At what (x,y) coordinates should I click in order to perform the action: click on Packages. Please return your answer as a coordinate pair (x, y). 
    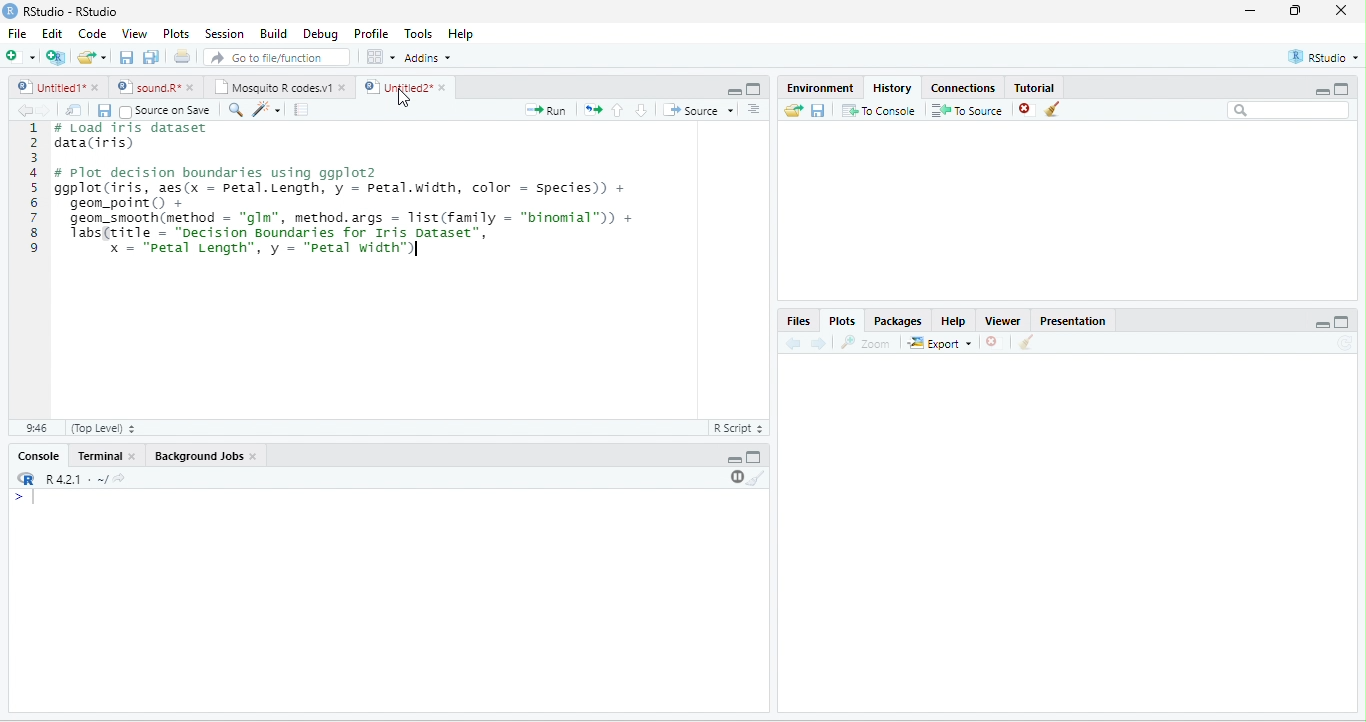
    Looking at the image, I should click on (898, 322).